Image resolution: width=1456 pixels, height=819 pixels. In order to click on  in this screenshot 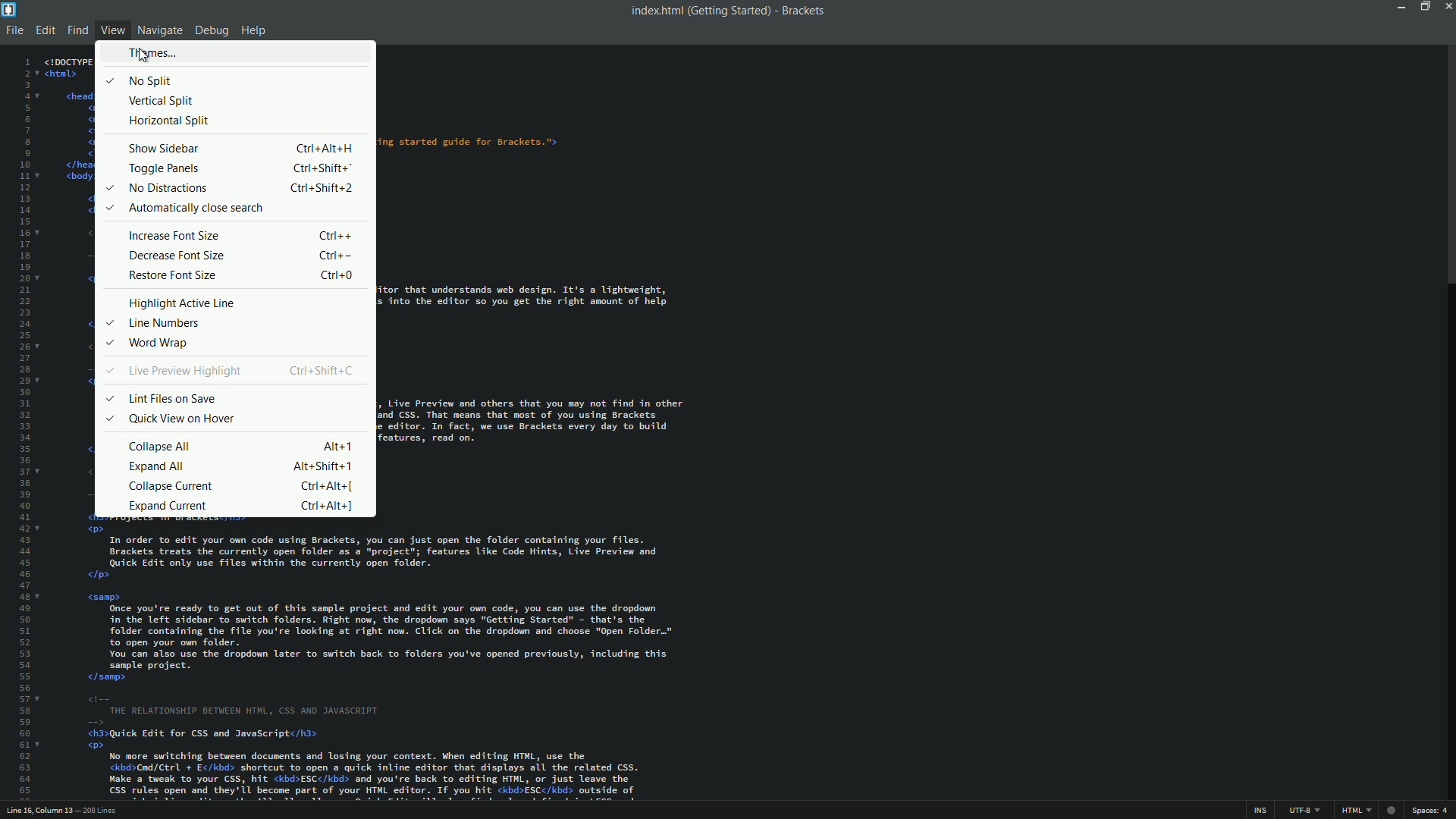, I will do `click(334, 275)`.